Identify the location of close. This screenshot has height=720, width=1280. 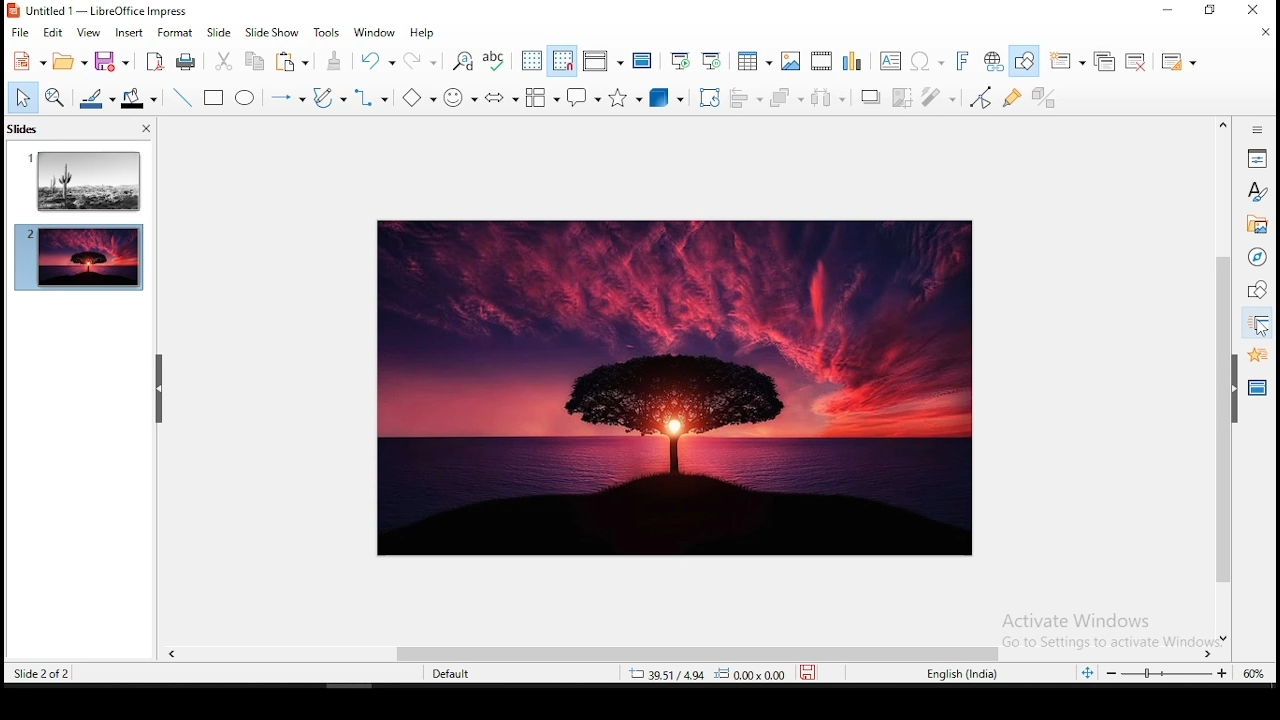
(1263, 32).